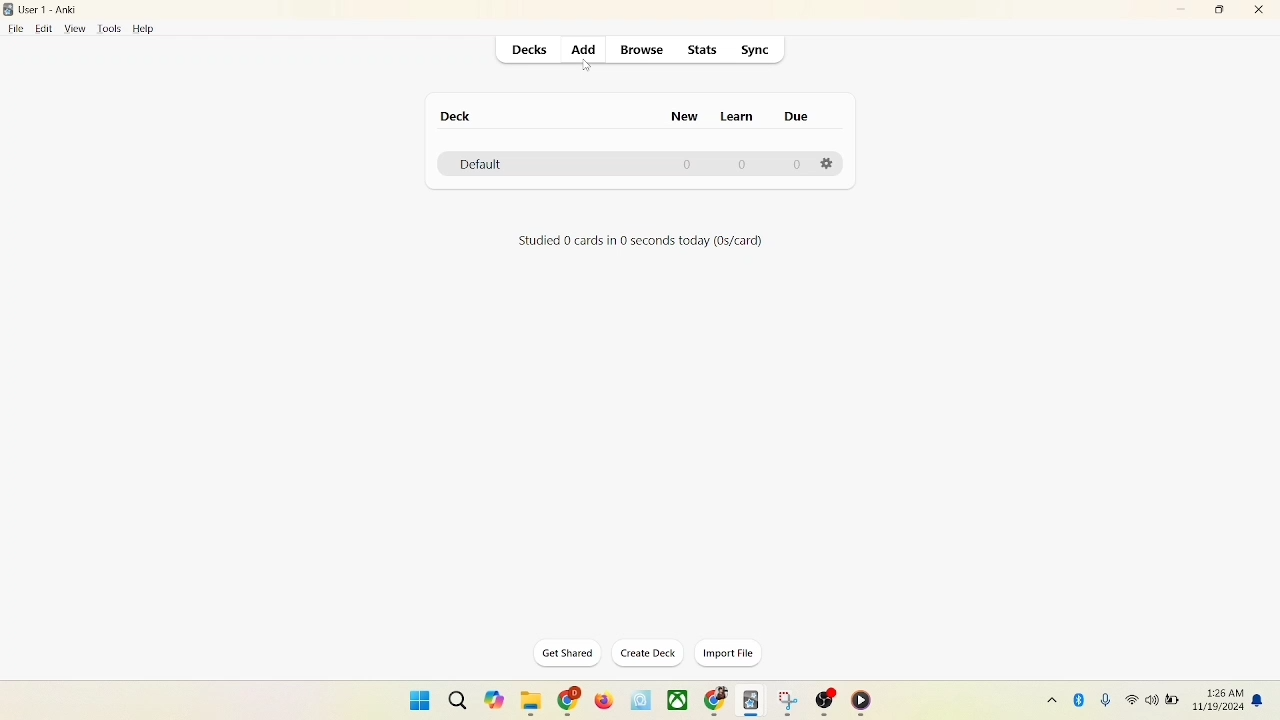  Describe the element at coordinates (13, 29) in the screenshot. I see `file` at that location.